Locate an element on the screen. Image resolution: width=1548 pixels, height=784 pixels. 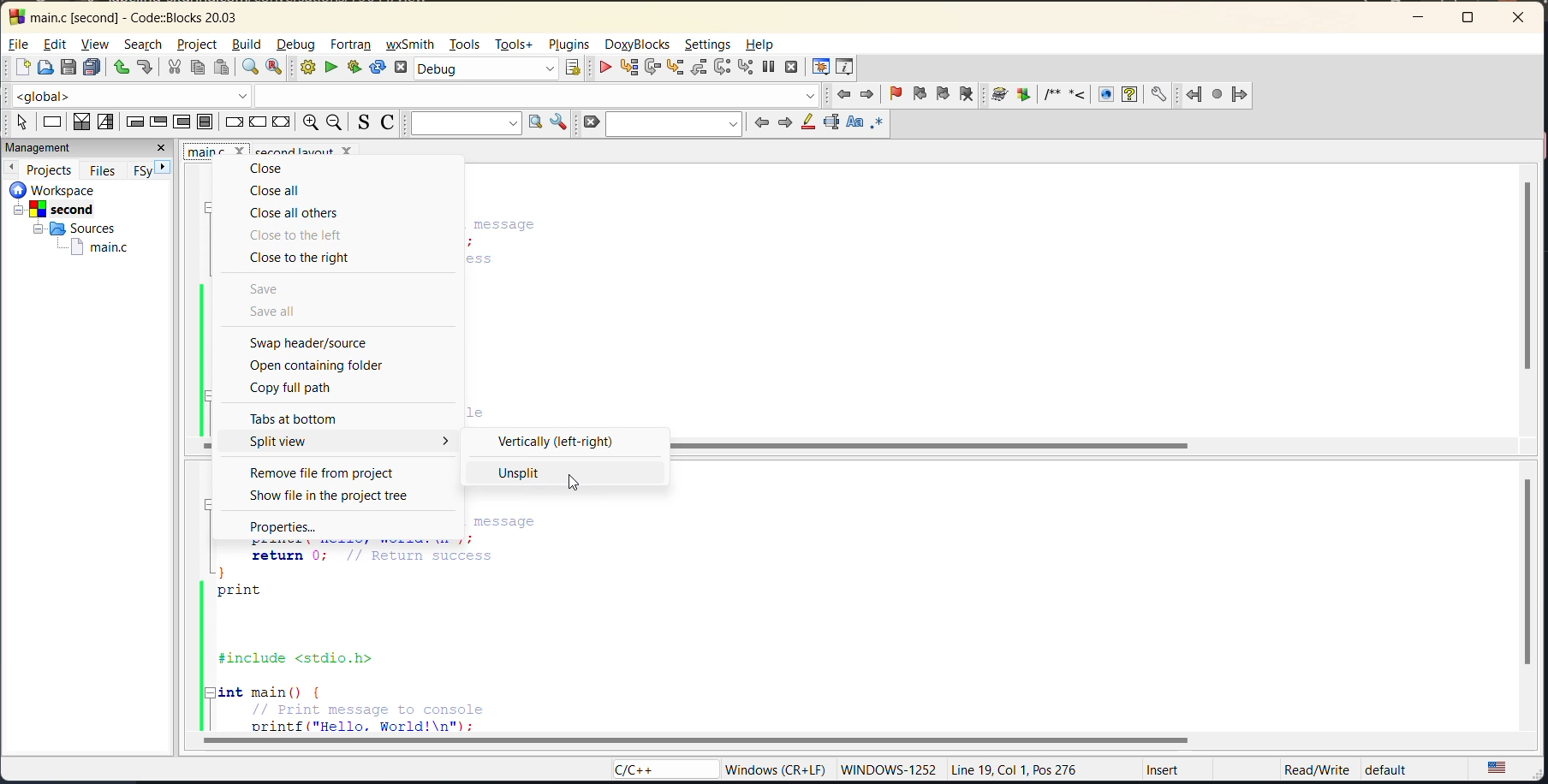
edit is located at coordinates (56, 45).